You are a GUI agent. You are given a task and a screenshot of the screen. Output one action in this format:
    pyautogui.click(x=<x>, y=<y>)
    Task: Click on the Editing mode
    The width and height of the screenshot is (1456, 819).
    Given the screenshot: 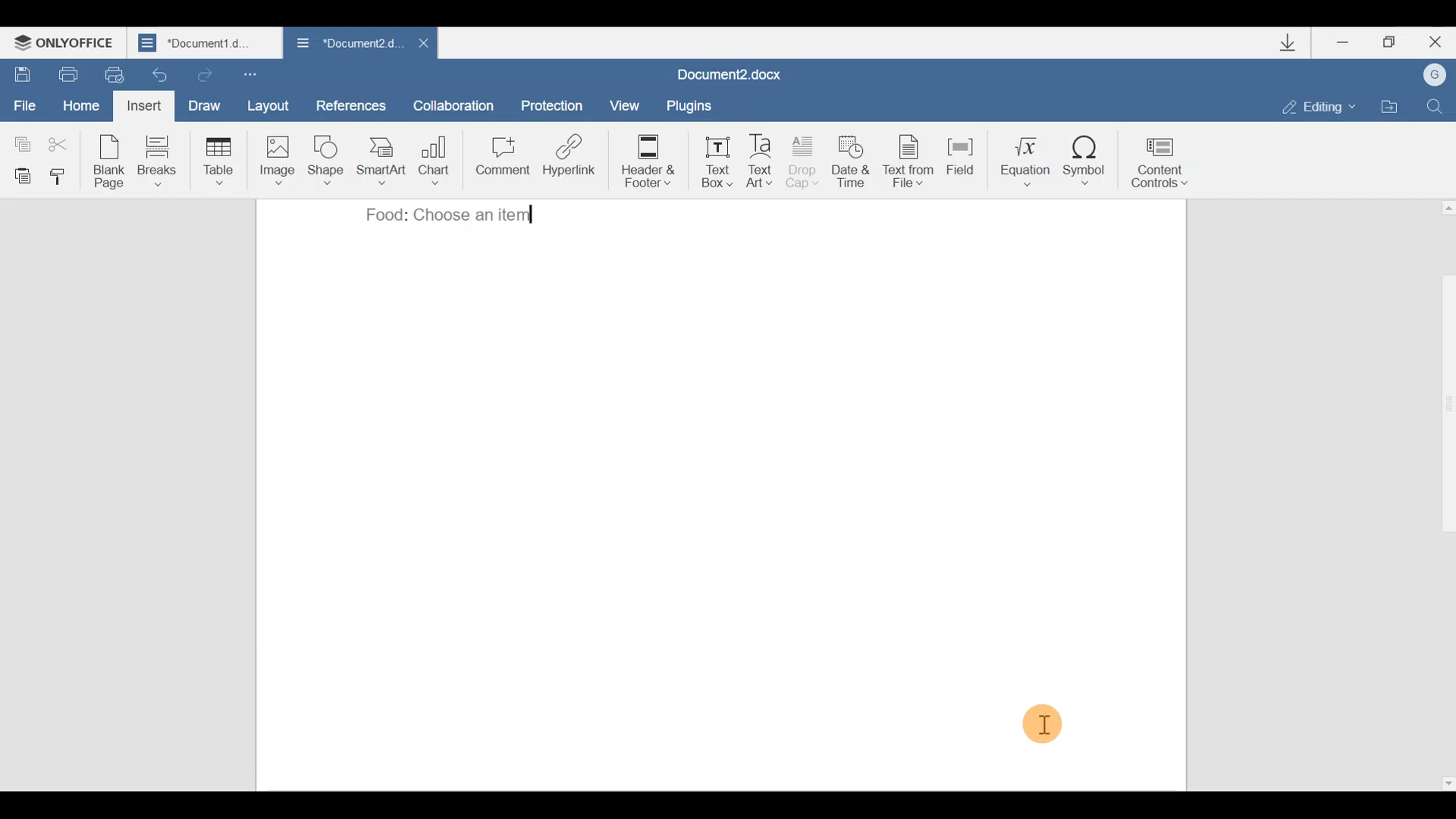 What is the action you would take?
    pyautogui.click(x=1310, y=105)
    